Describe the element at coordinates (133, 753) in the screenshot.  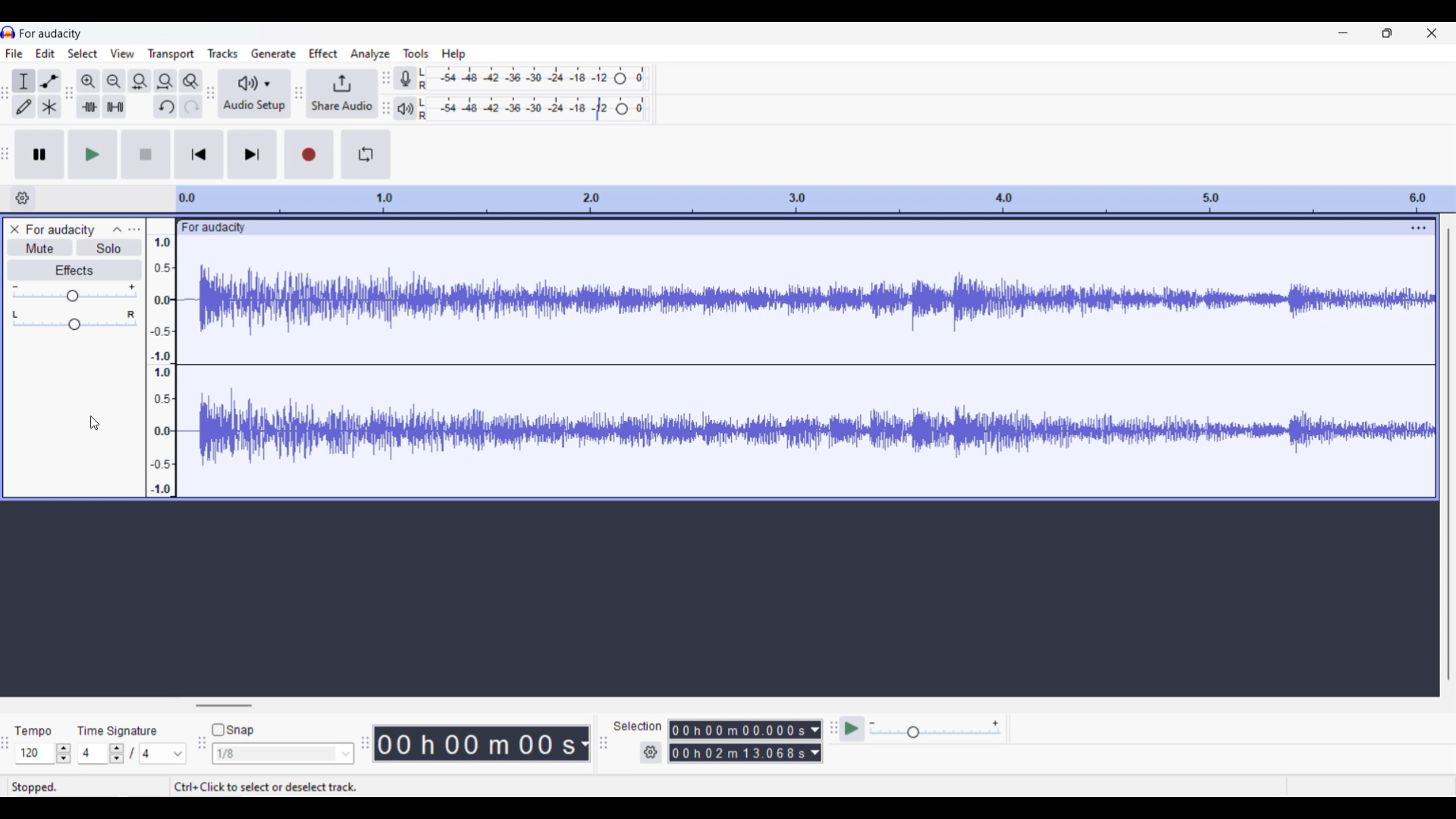
I see `Time signature settings` at that location.